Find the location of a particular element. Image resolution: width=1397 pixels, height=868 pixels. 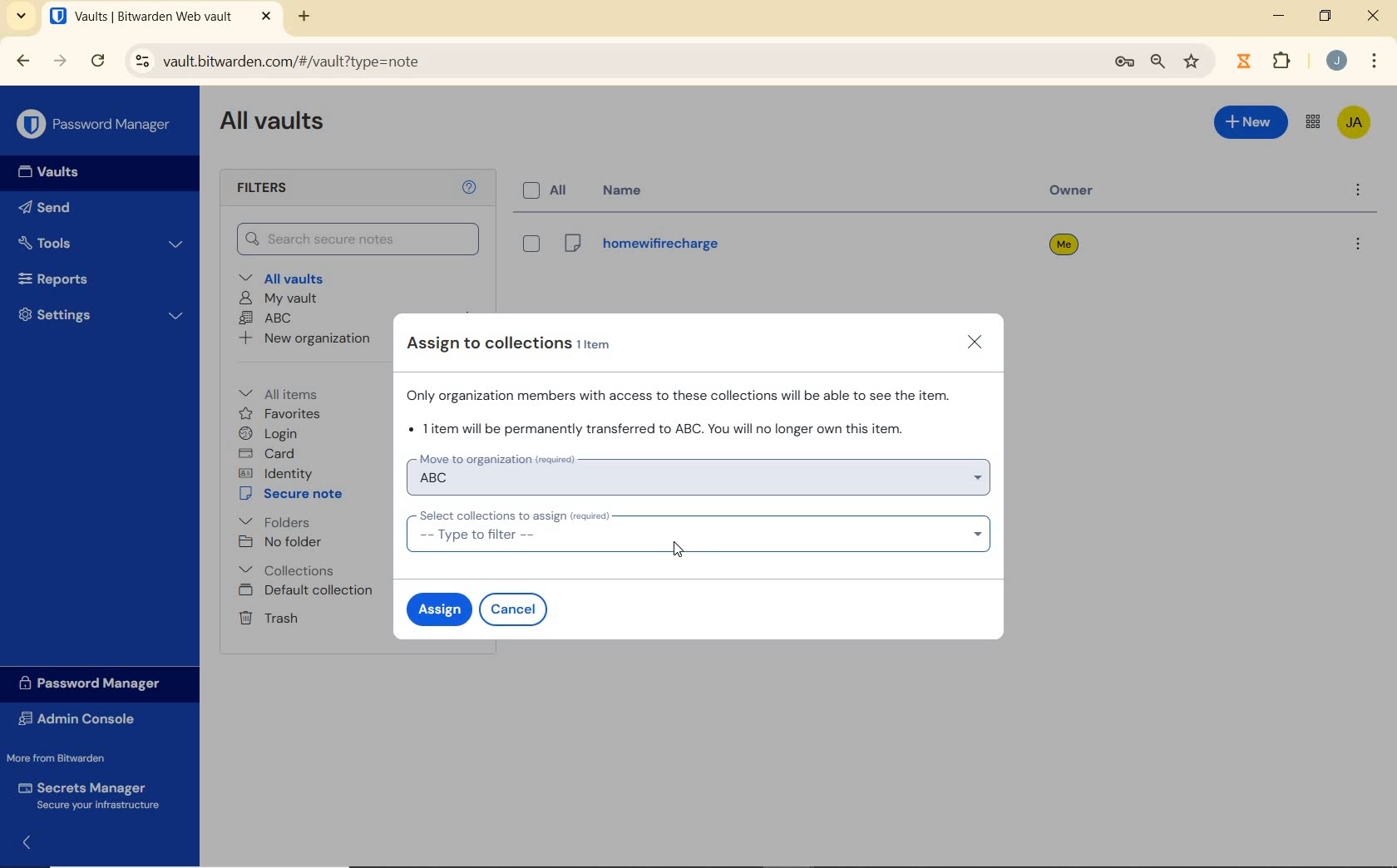

ABC is located at coordinates (266, 319).